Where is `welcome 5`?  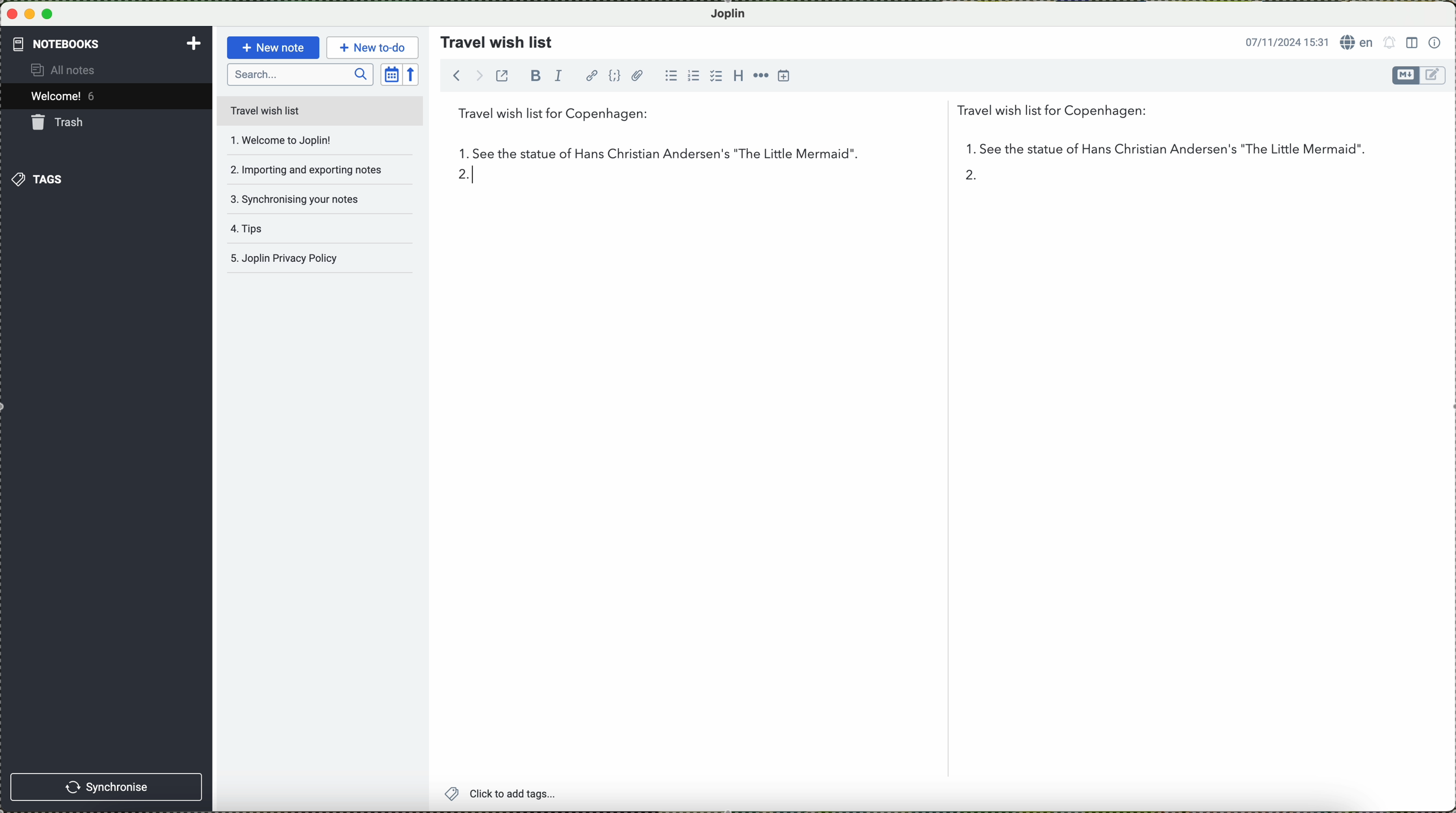 welcome 5 is located at coordinates (66, 98).